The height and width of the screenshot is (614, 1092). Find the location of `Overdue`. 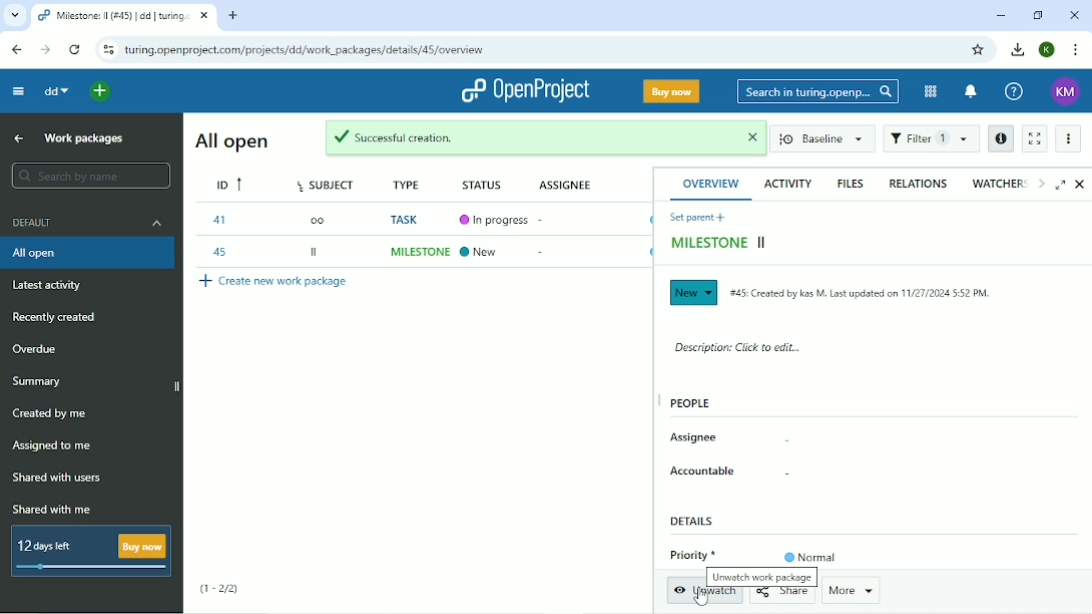

Overdue is located at coordinates (37, 350).